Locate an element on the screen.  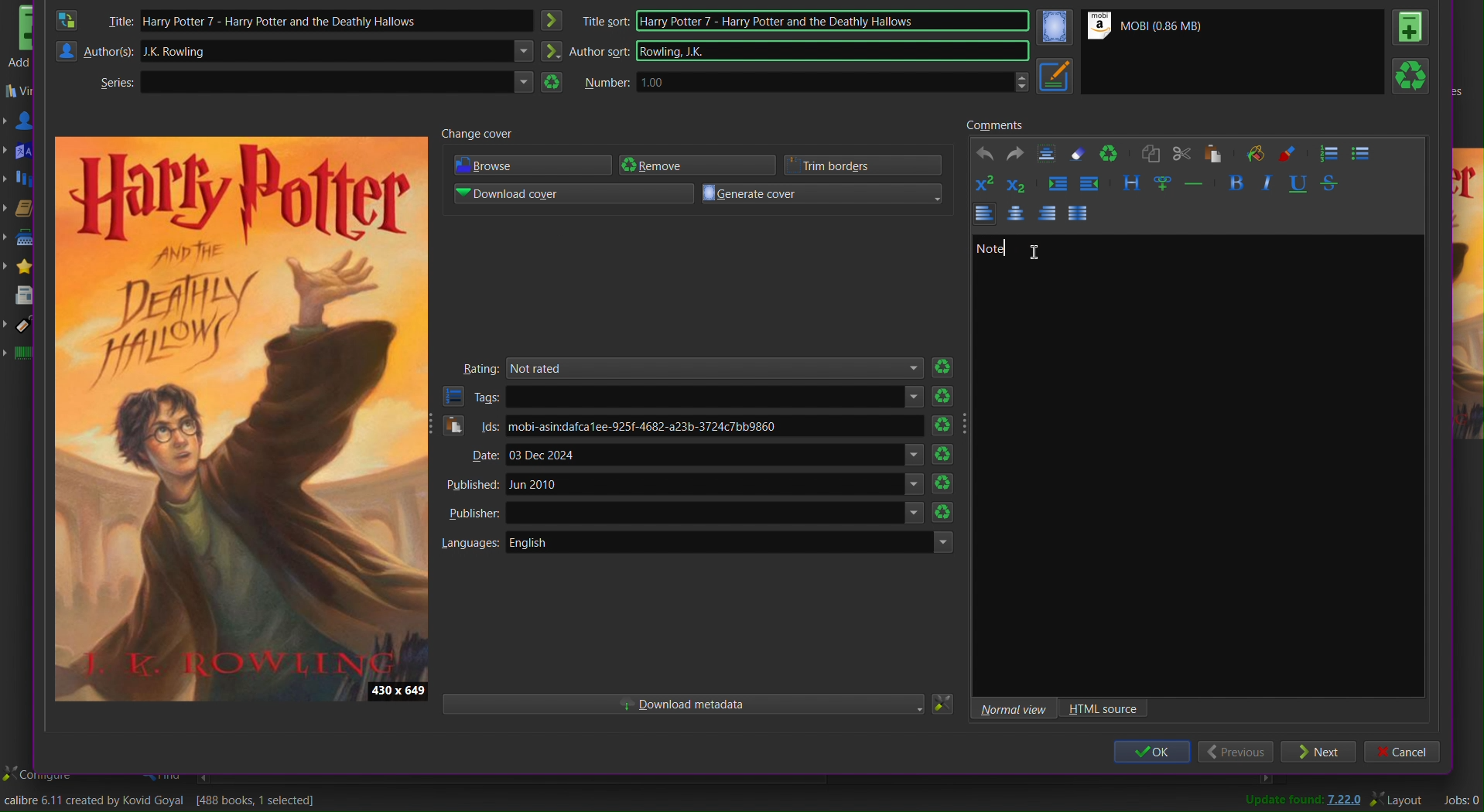
Cancel is located at coordinates (1407, 752).